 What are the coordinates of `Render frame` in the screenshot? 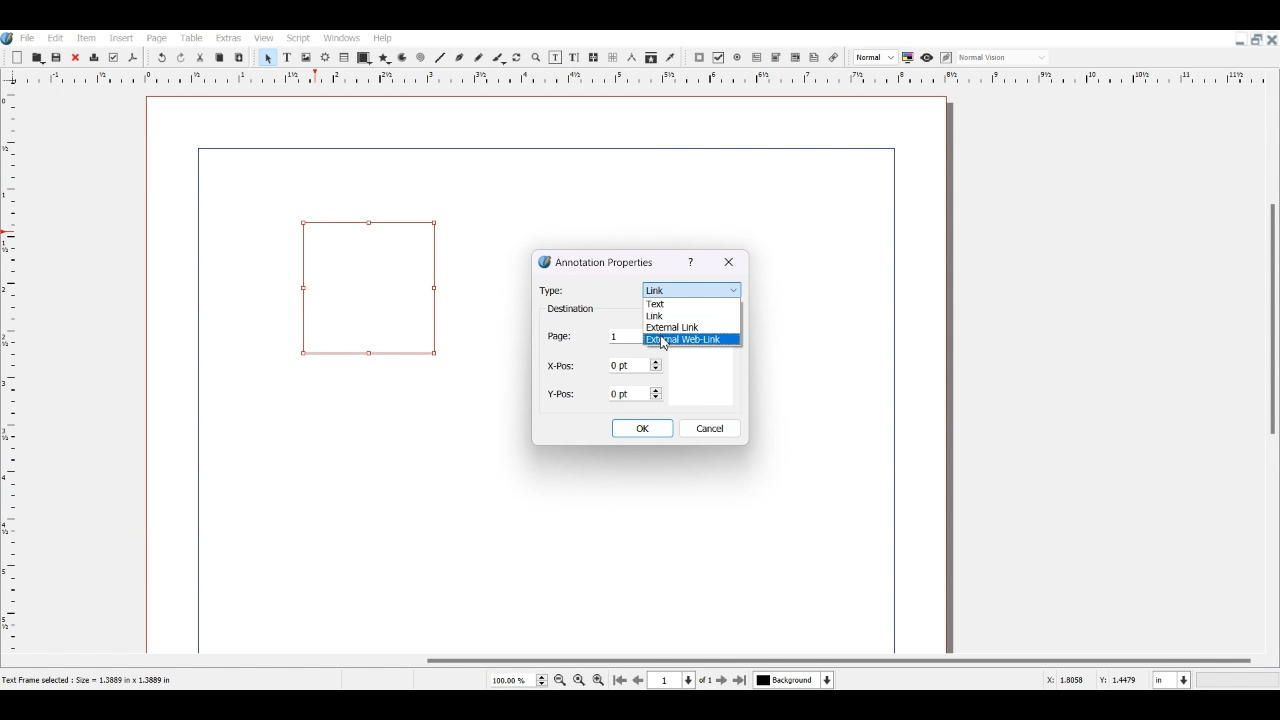 It's located at (326, 57).